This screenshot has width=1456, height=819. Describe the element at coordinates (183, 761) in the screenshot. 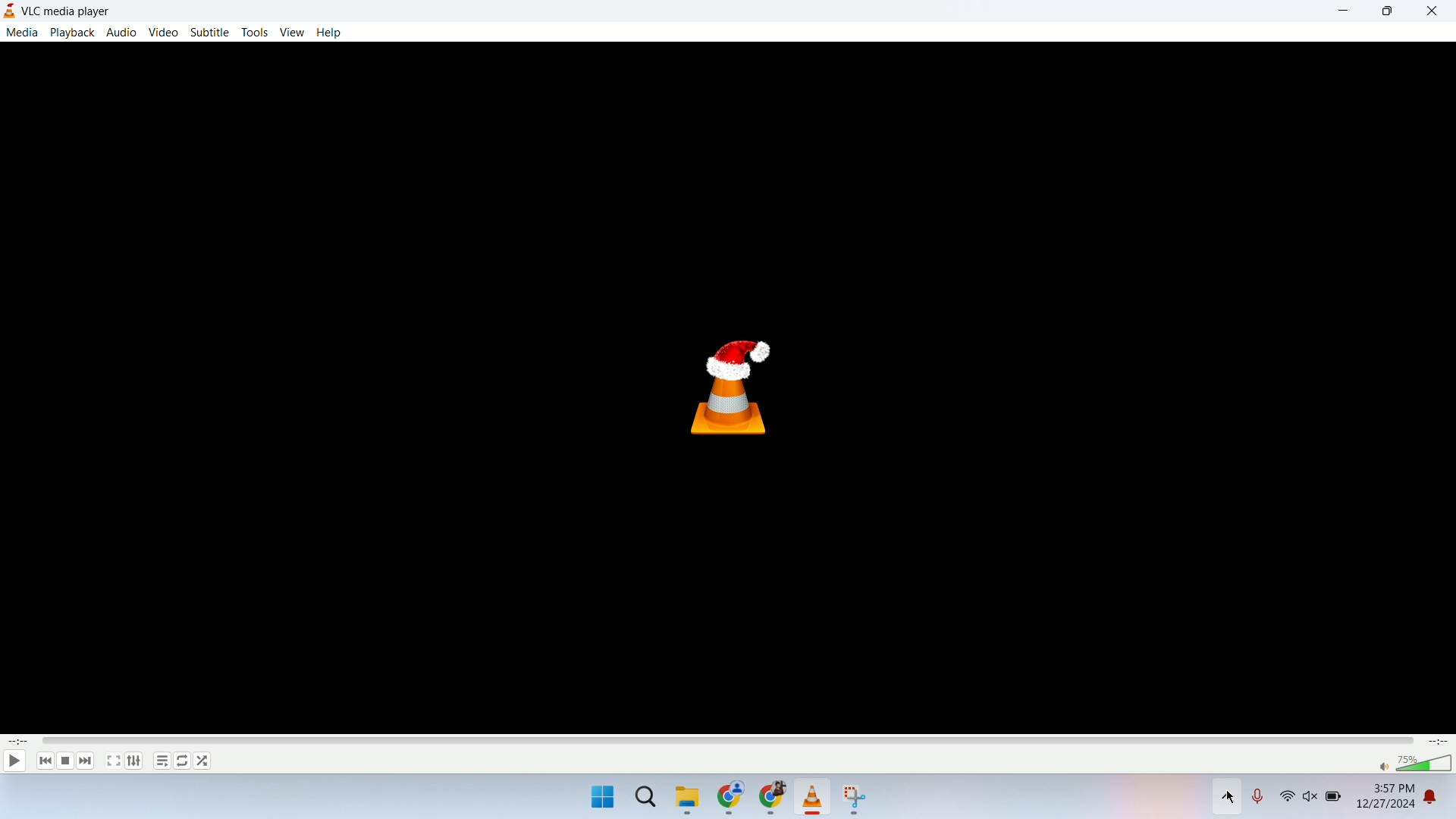

I see `toggle loop` at that location.